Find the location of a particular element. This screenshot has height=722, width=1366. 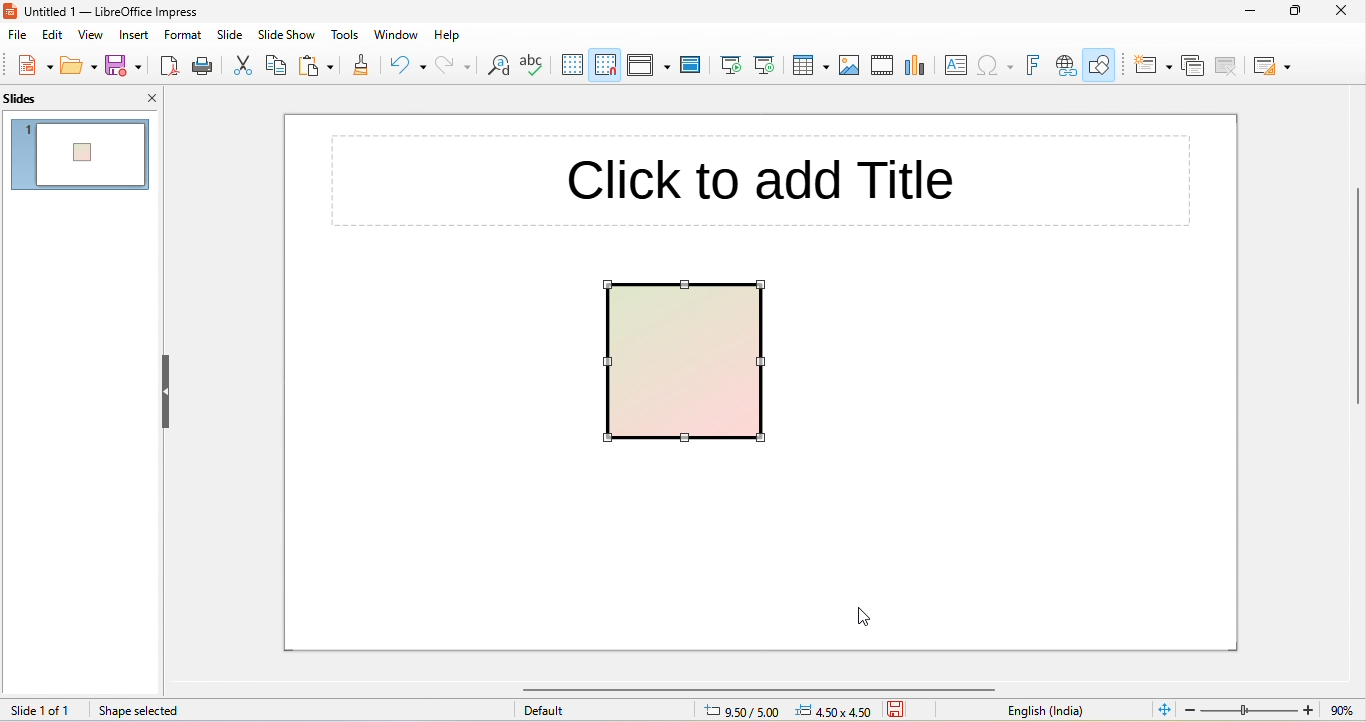

gradient style appeared is located at coordinates (83, 156).